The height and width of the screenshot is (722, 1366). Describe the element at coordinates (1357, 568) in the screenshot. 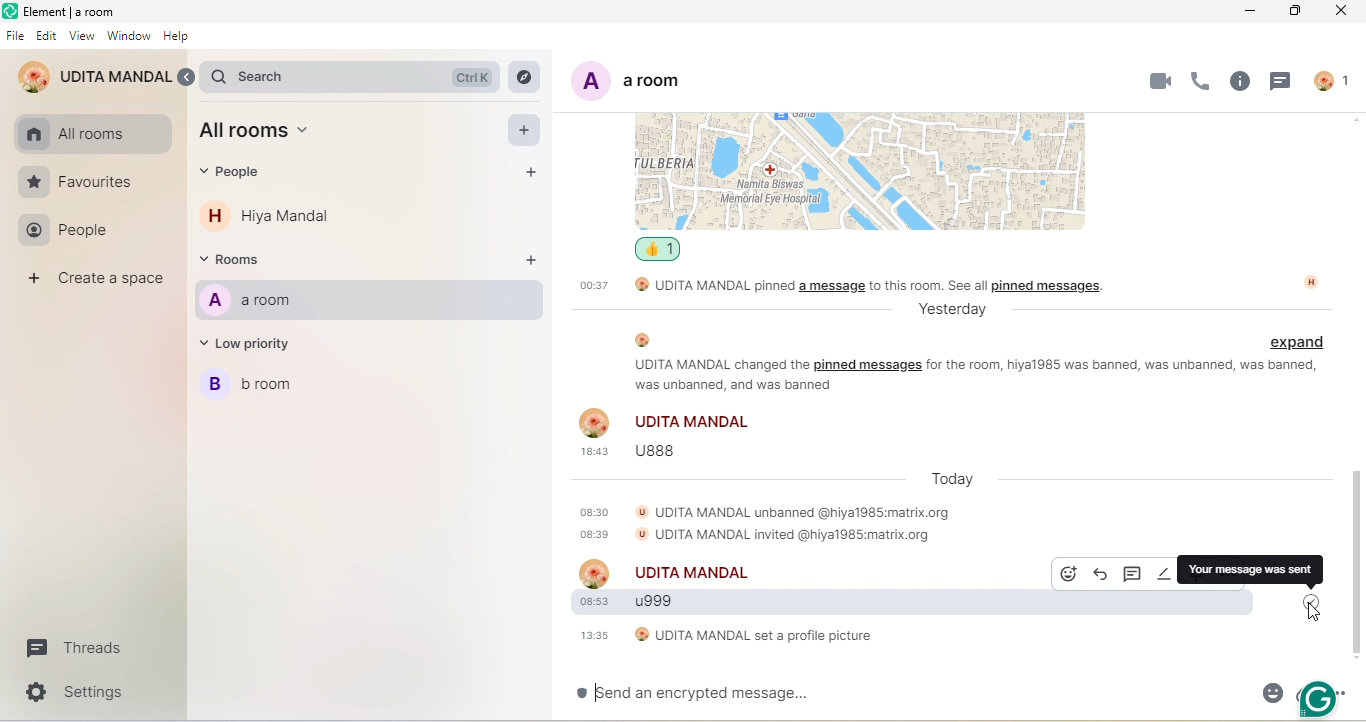

I see `scroll bar` at that location.